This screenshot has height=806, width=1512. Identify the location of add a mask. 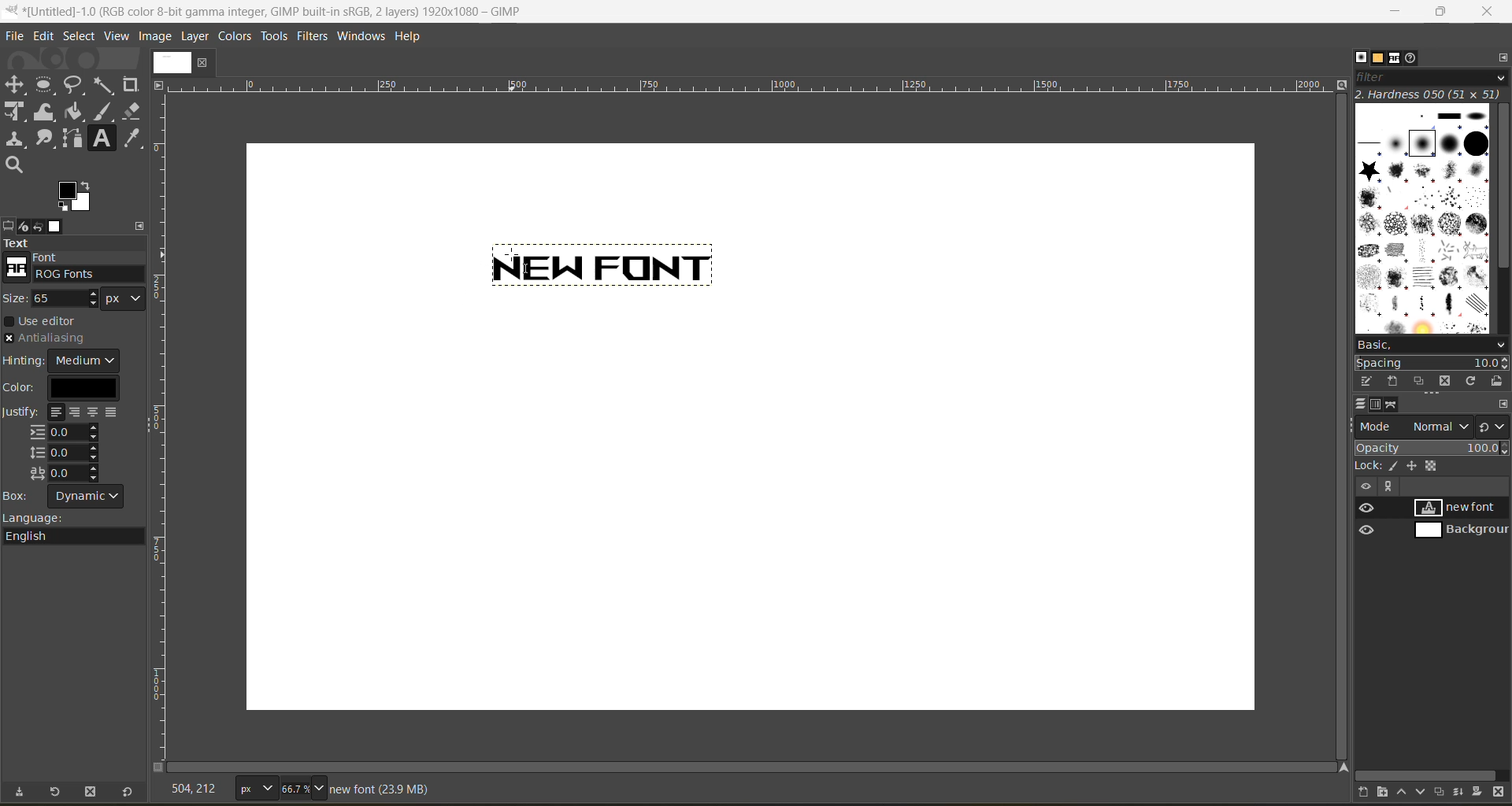
(1474, 793).